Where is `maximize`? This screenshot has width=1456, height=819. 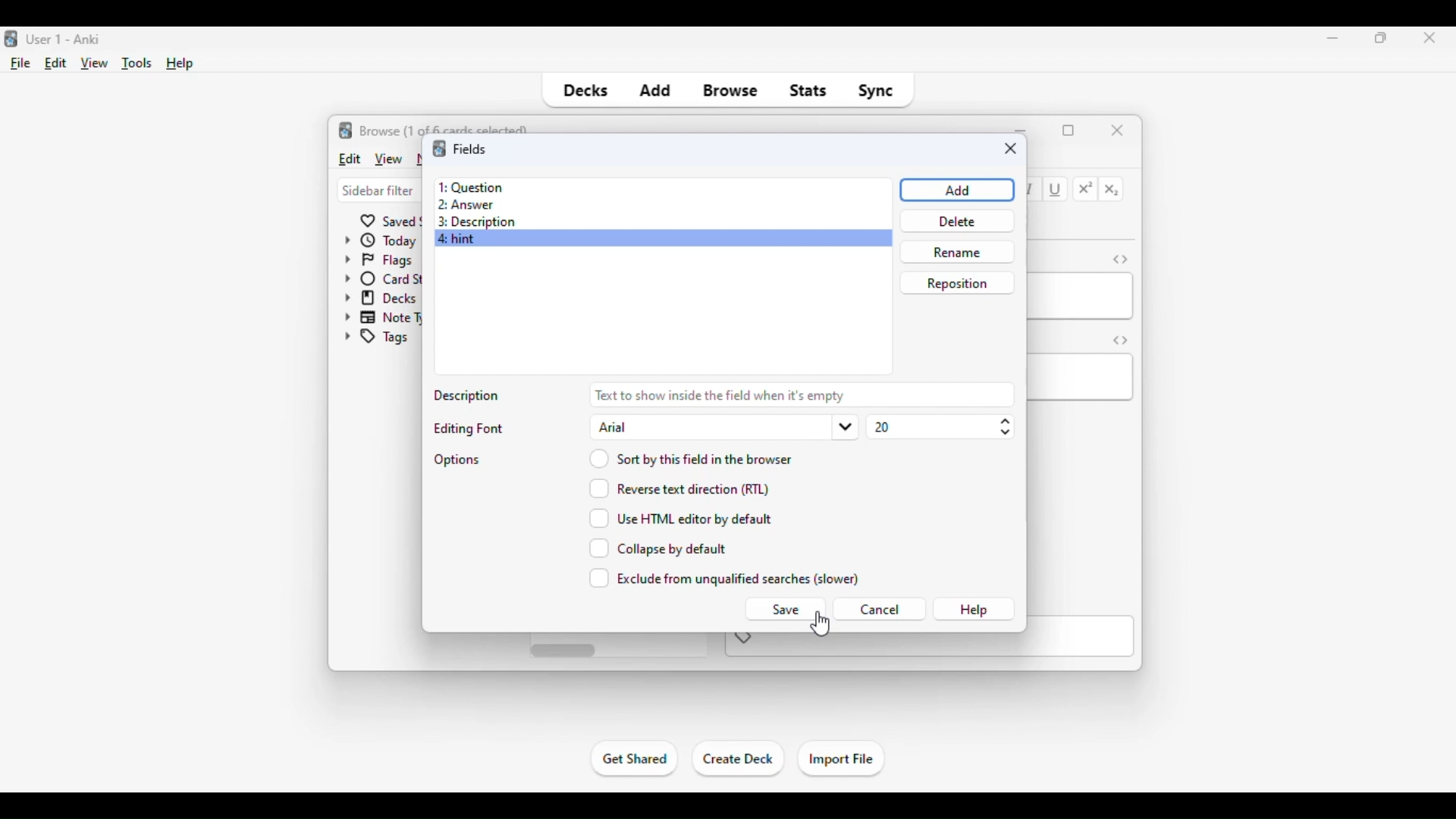 maximize is located at coordinates (1068, 130).